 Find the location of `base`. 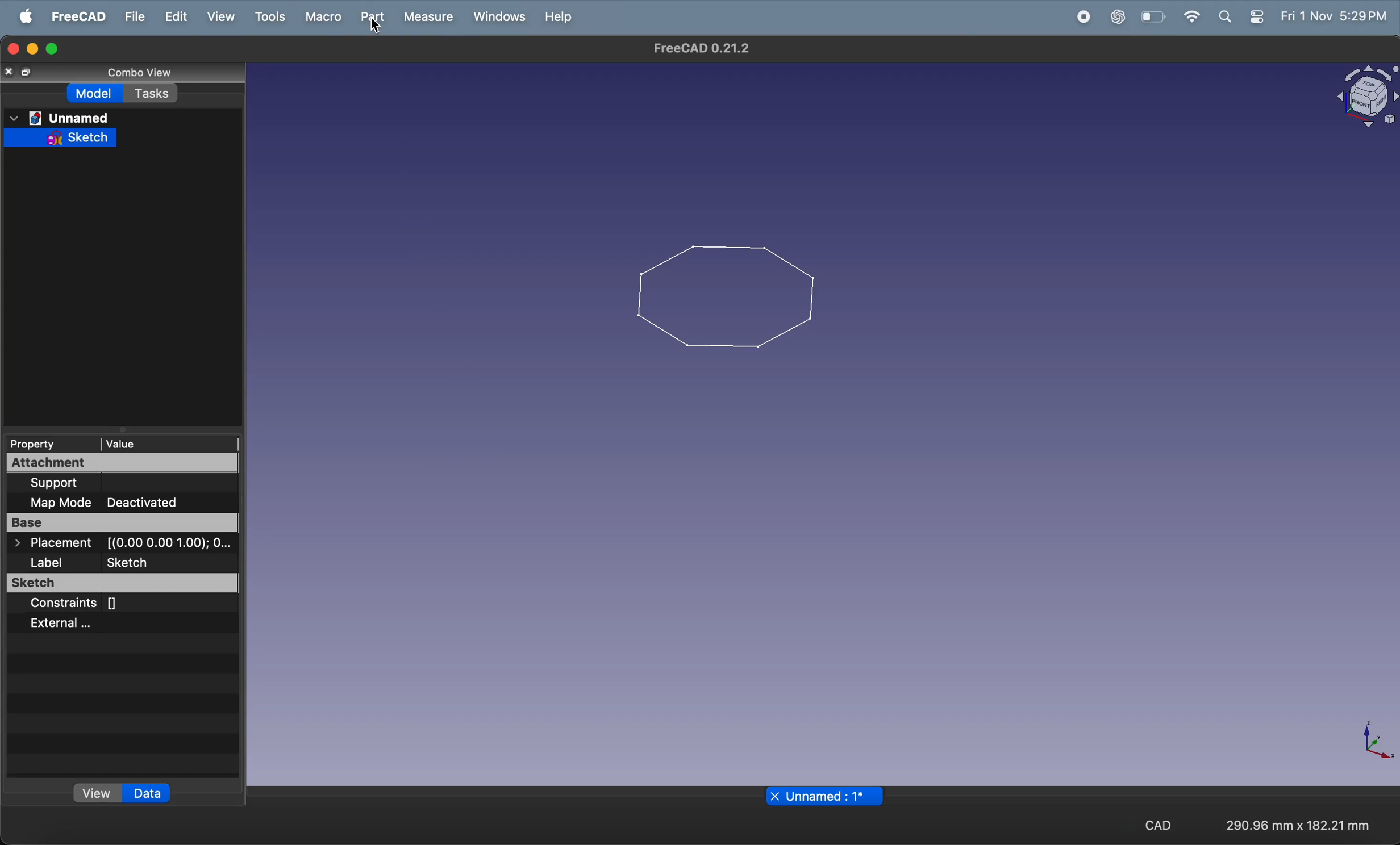

base is located at coordinates (126, 522).